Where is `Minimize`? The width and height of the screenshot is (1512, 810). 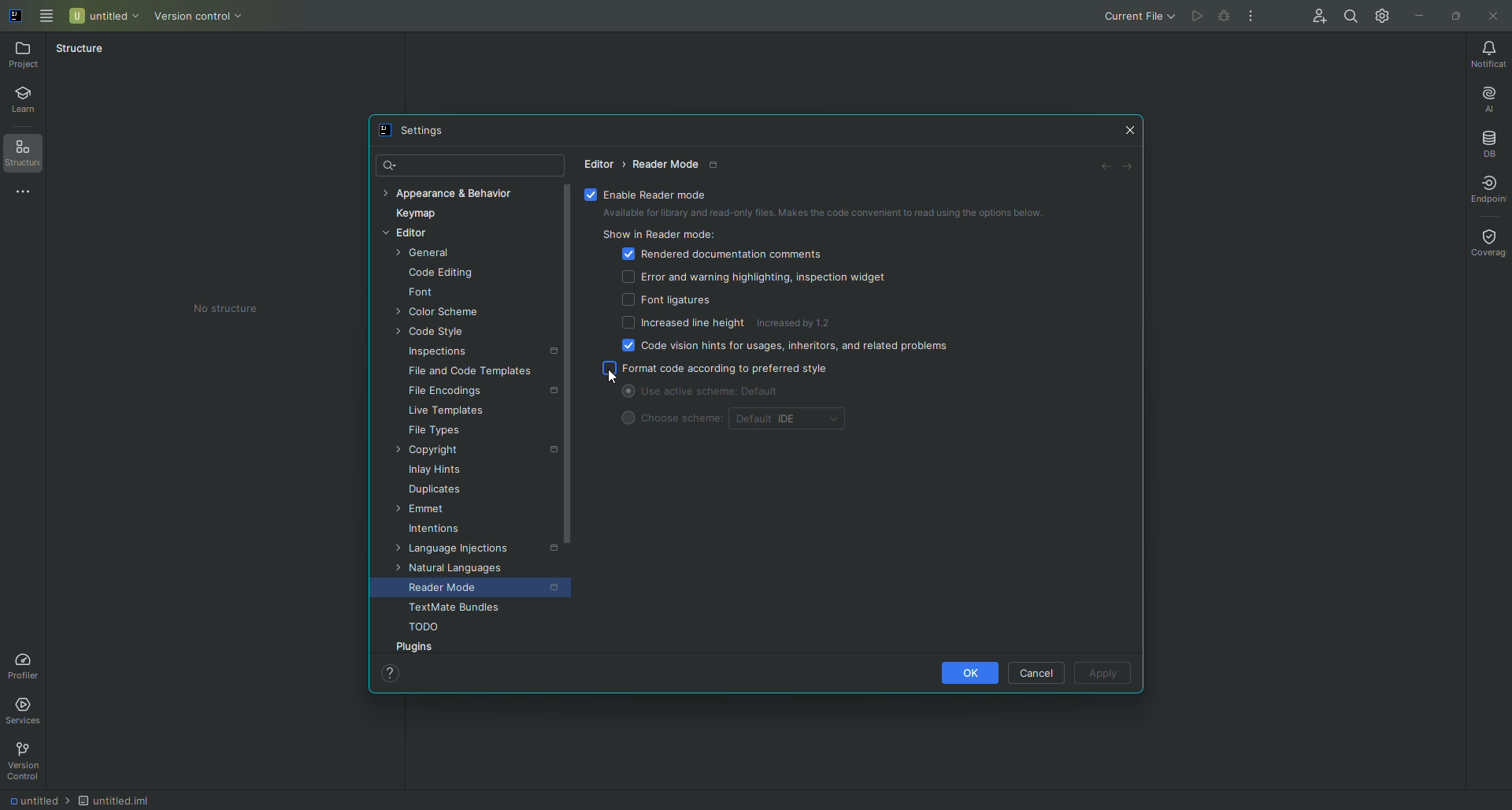
Minimize is located at coordinates (1420, 17).